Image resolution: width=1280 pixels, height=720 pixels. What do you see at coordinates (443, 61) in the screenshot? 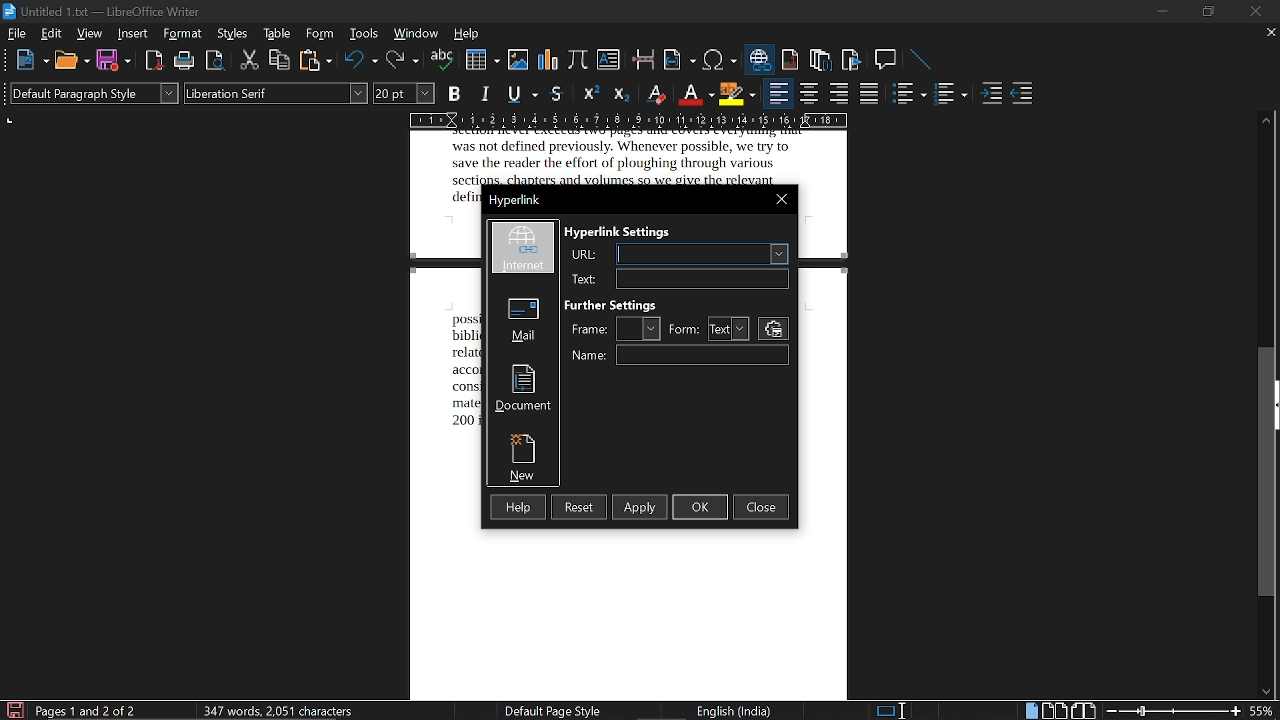
I see `spelling` at bounding box center [443, 61].